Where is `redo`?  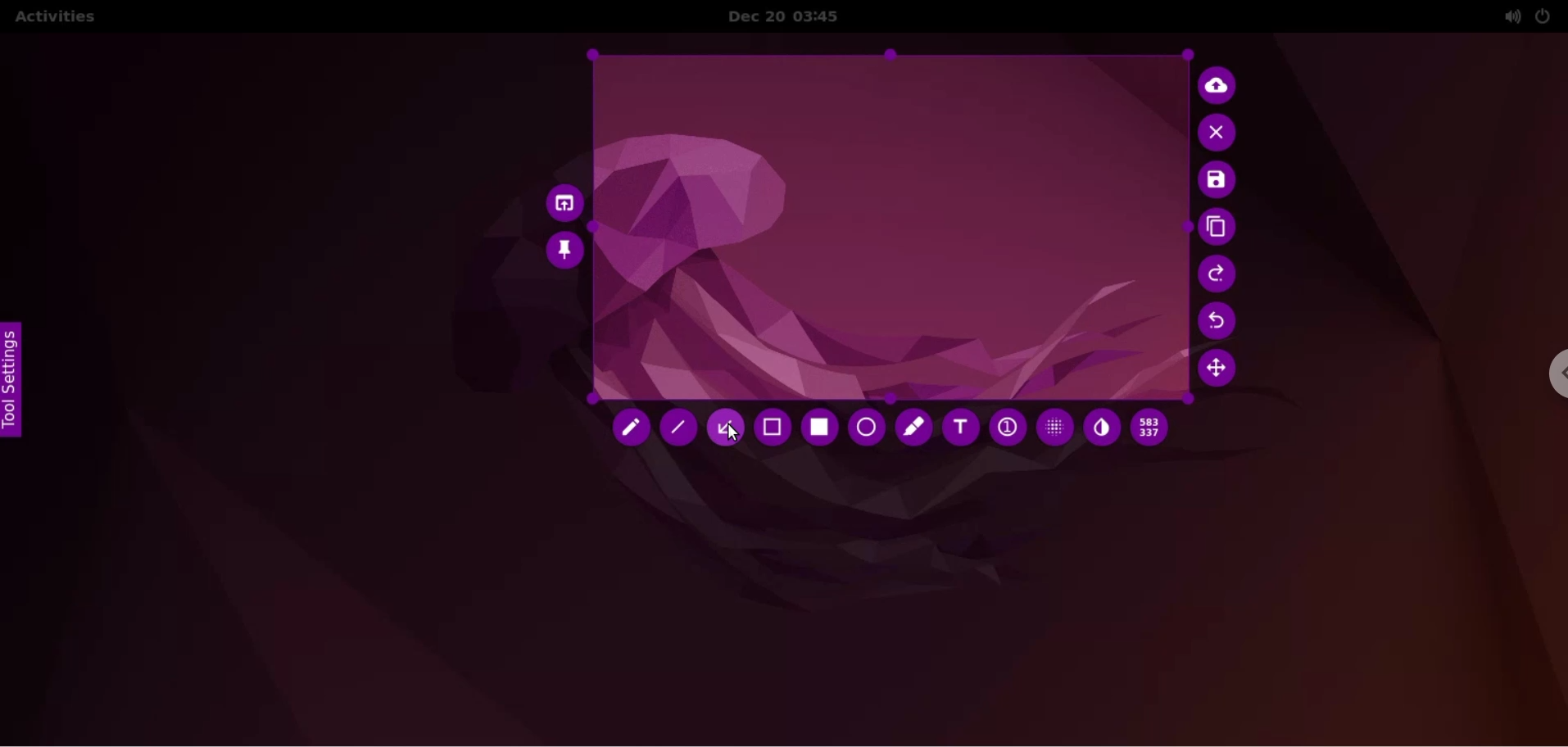 redo is located at coordinates (1220, 274).